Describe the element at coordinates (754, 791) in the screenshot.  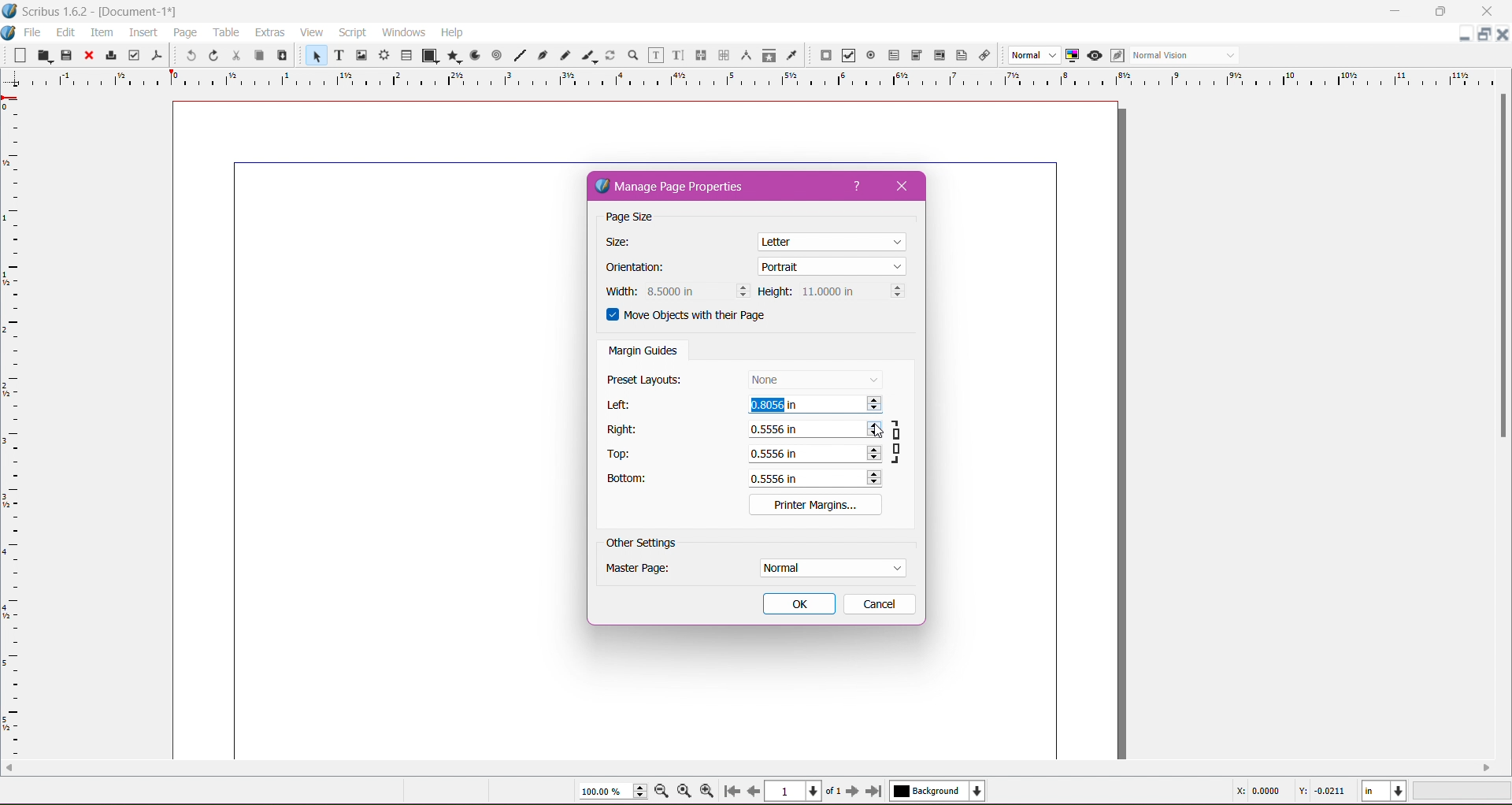
I see `Go to previous page` at that location.